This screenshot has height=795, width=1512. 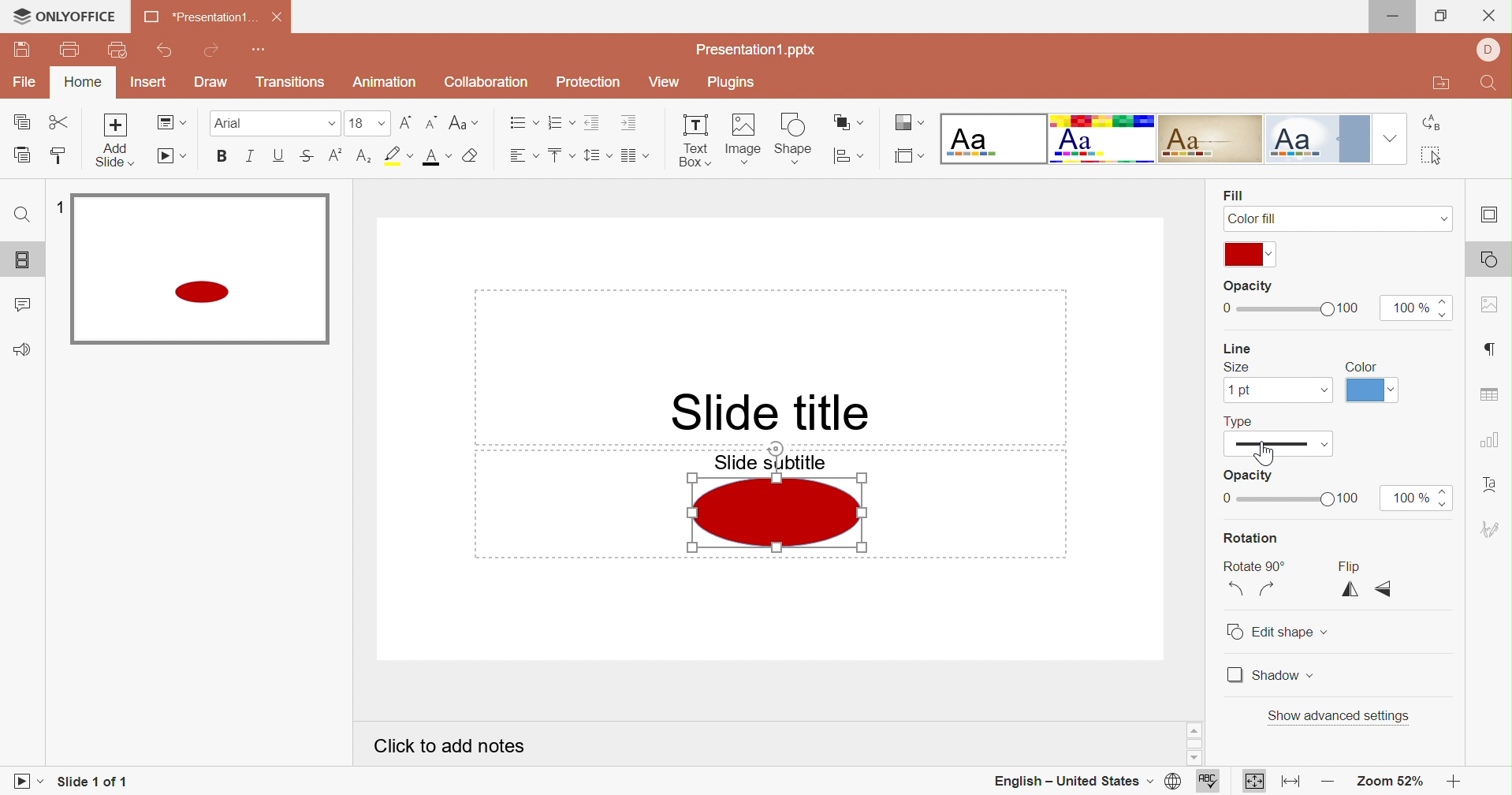 What do you see at coordinates (118, 50) in the screenshot?
I see `Quick print` at bounding box center [118, 50].